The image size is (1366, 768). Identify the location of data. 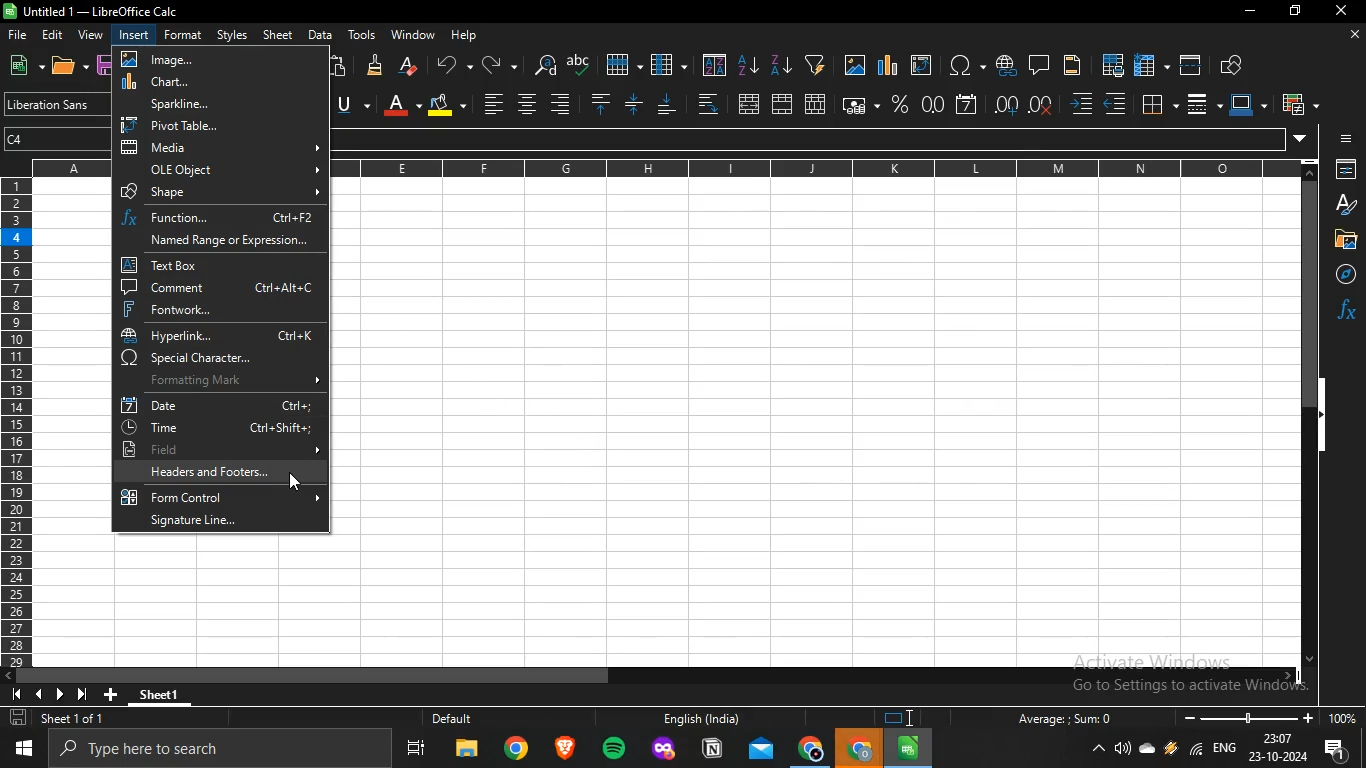
(319, 34).